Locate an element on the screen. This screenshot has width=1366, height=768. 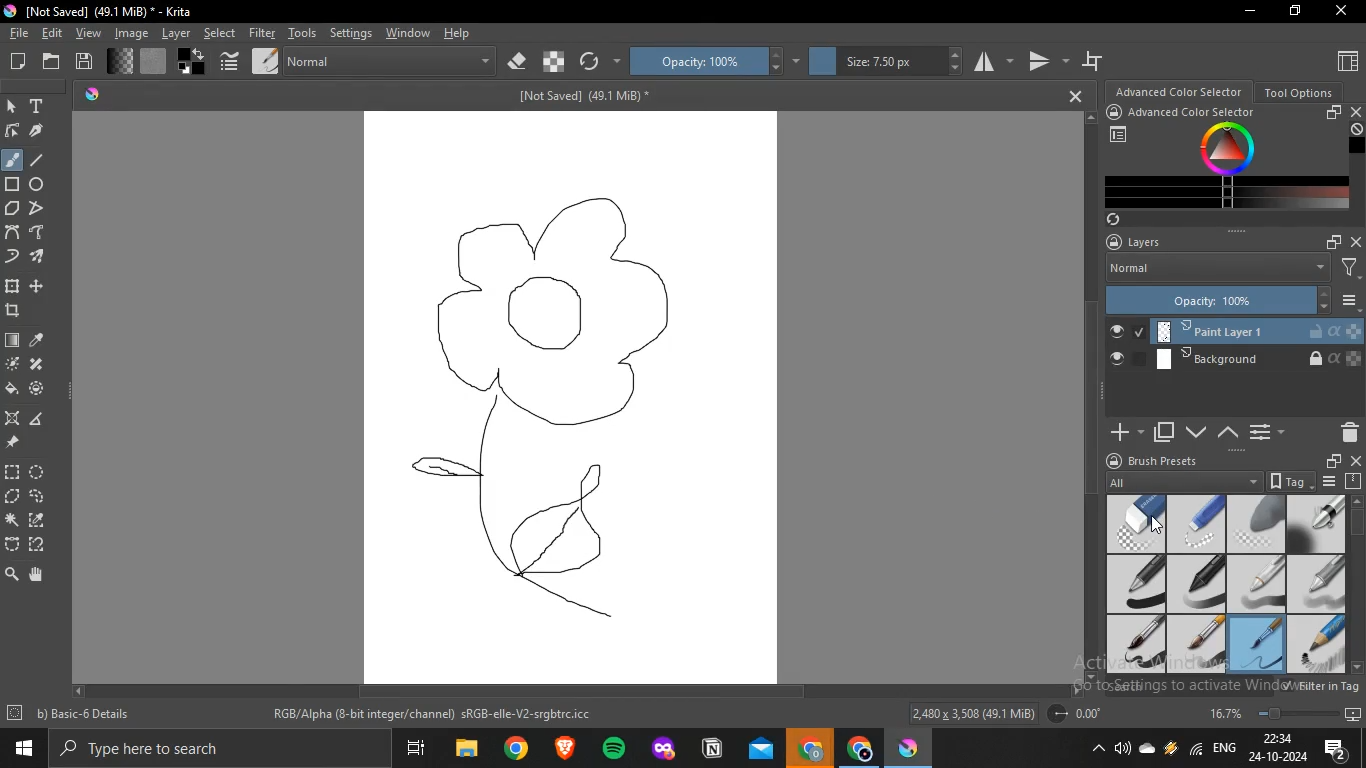
save  is located at coordinates (85, 61).